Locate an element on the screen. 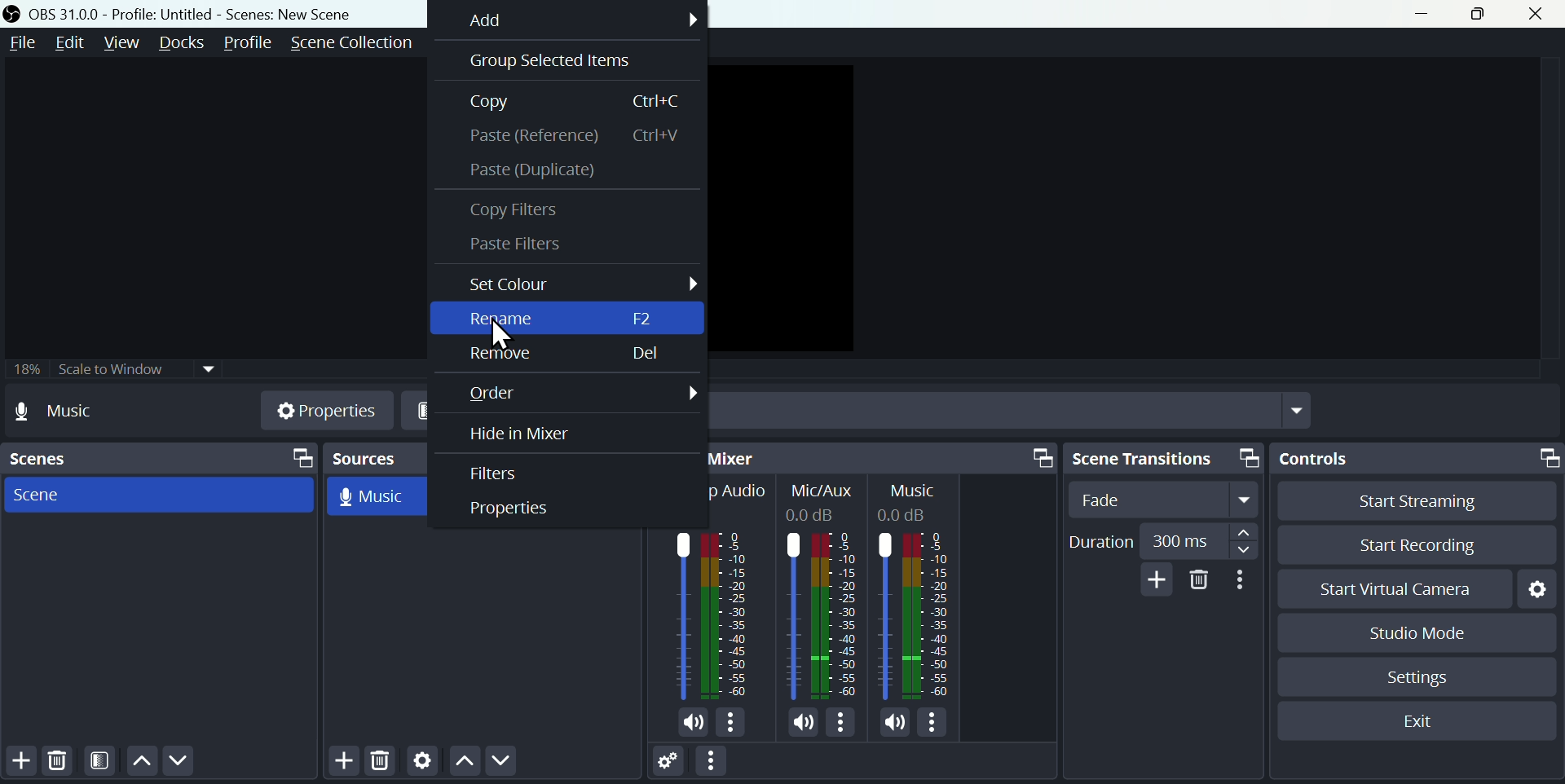 The width and height of the screenshot is (1565, 784). add is located at coordinates (1159, 577).